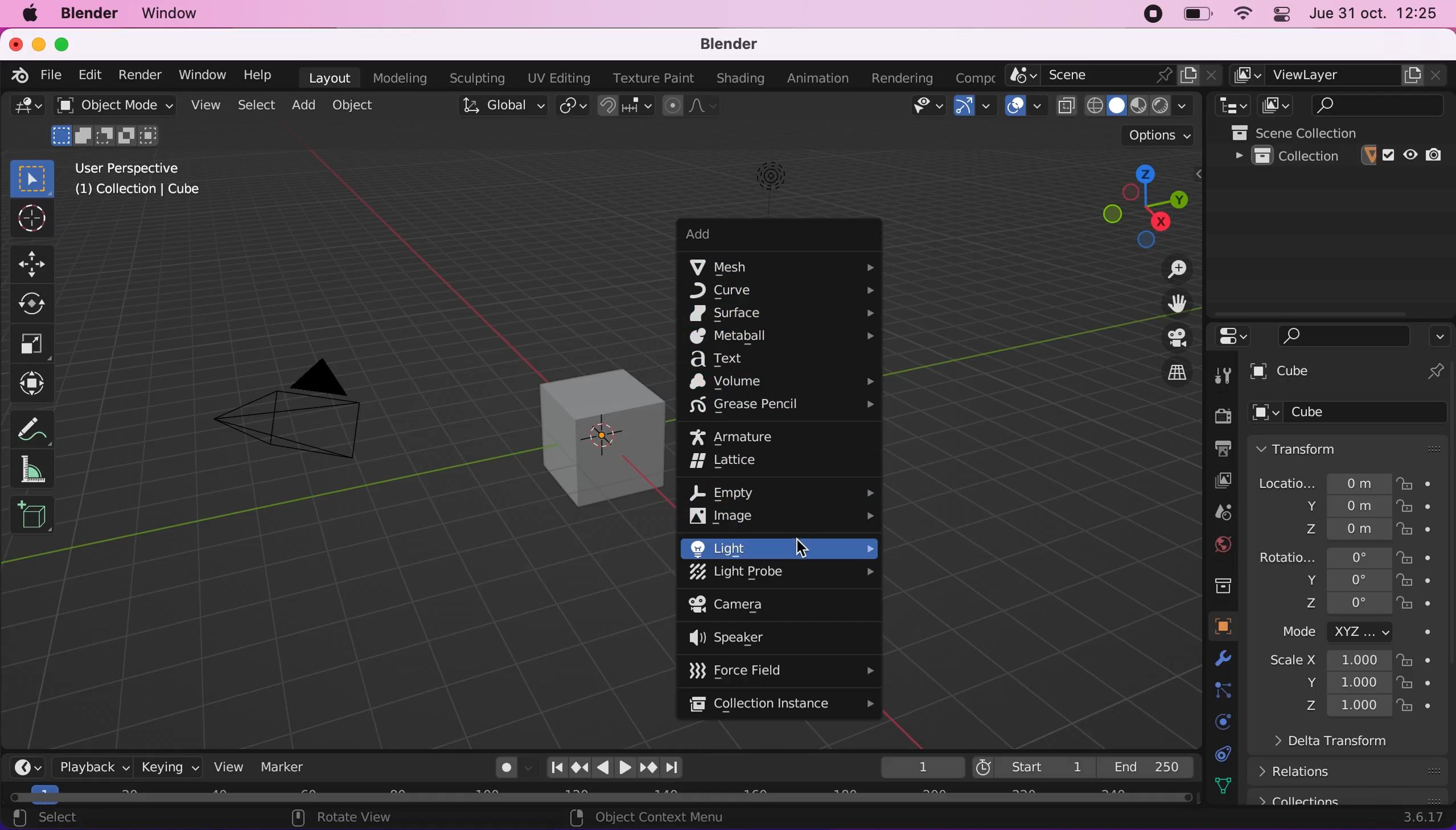 Image resolution: width=1456 pixels, height=830 pixels. I want to click on collections, so click(1351, 797).